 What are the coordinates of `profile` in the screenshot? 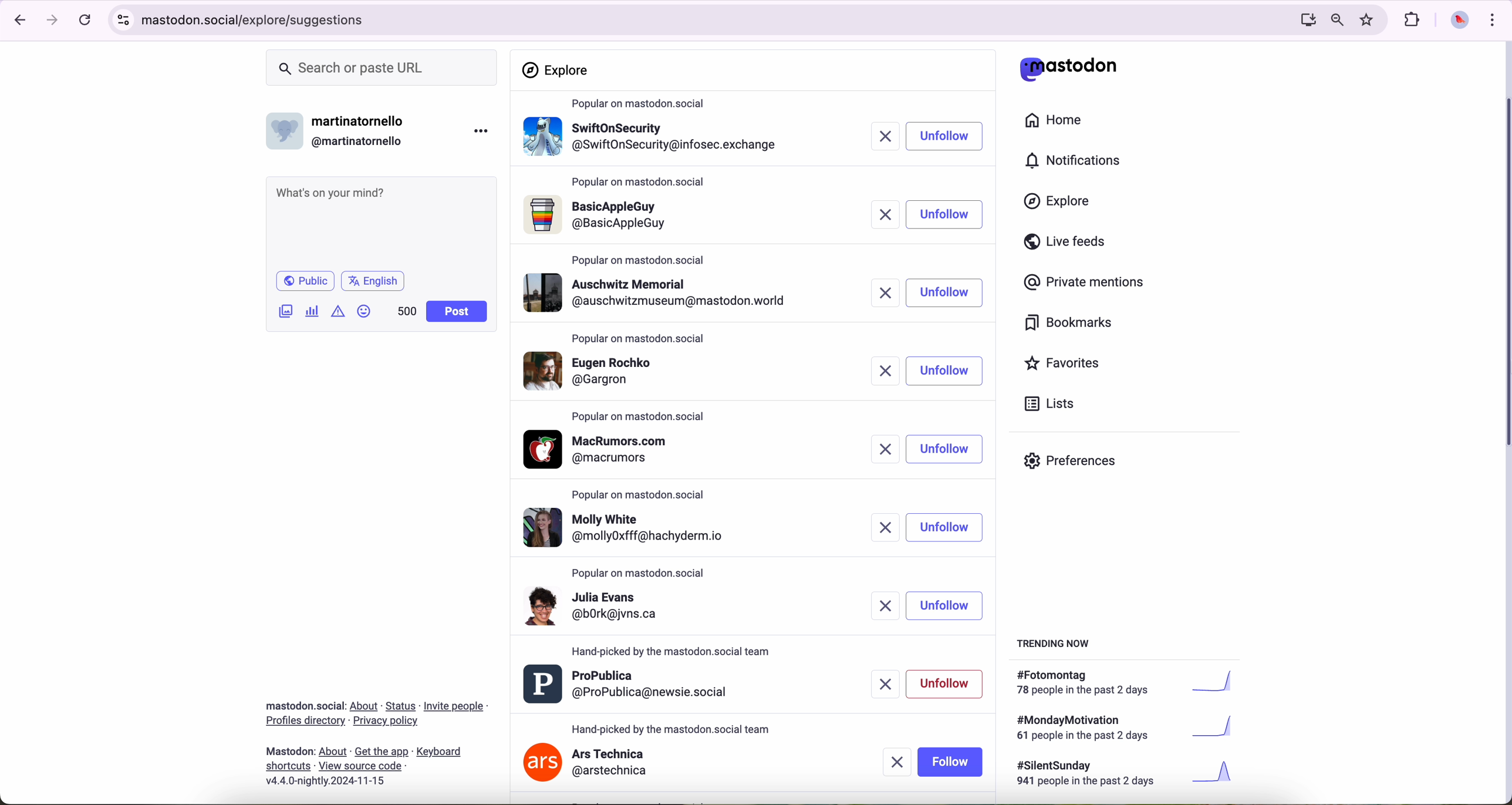 It's located at (626, 527).